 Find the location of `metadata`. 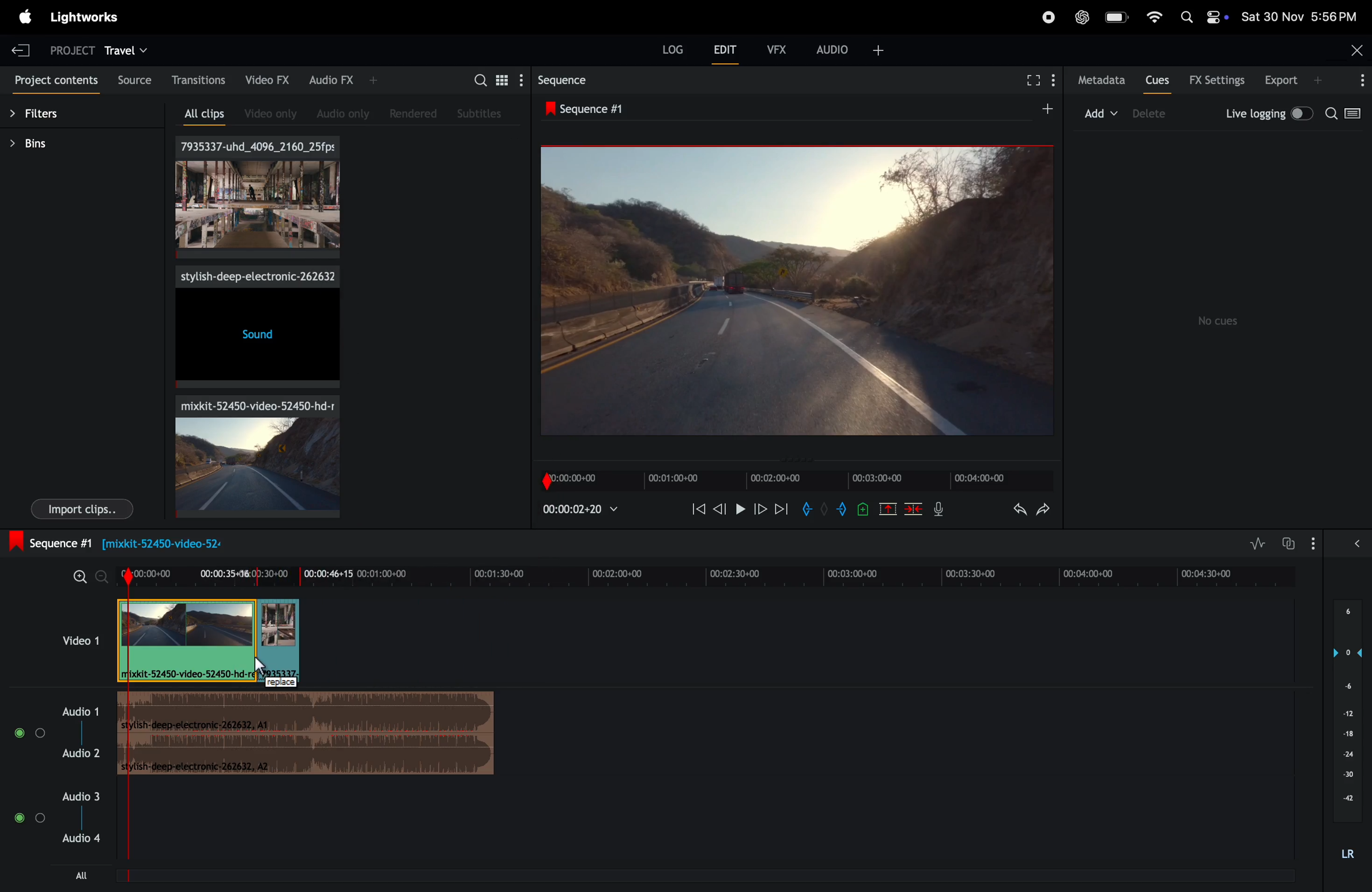

metadata is located at coordinates (1100, 80).